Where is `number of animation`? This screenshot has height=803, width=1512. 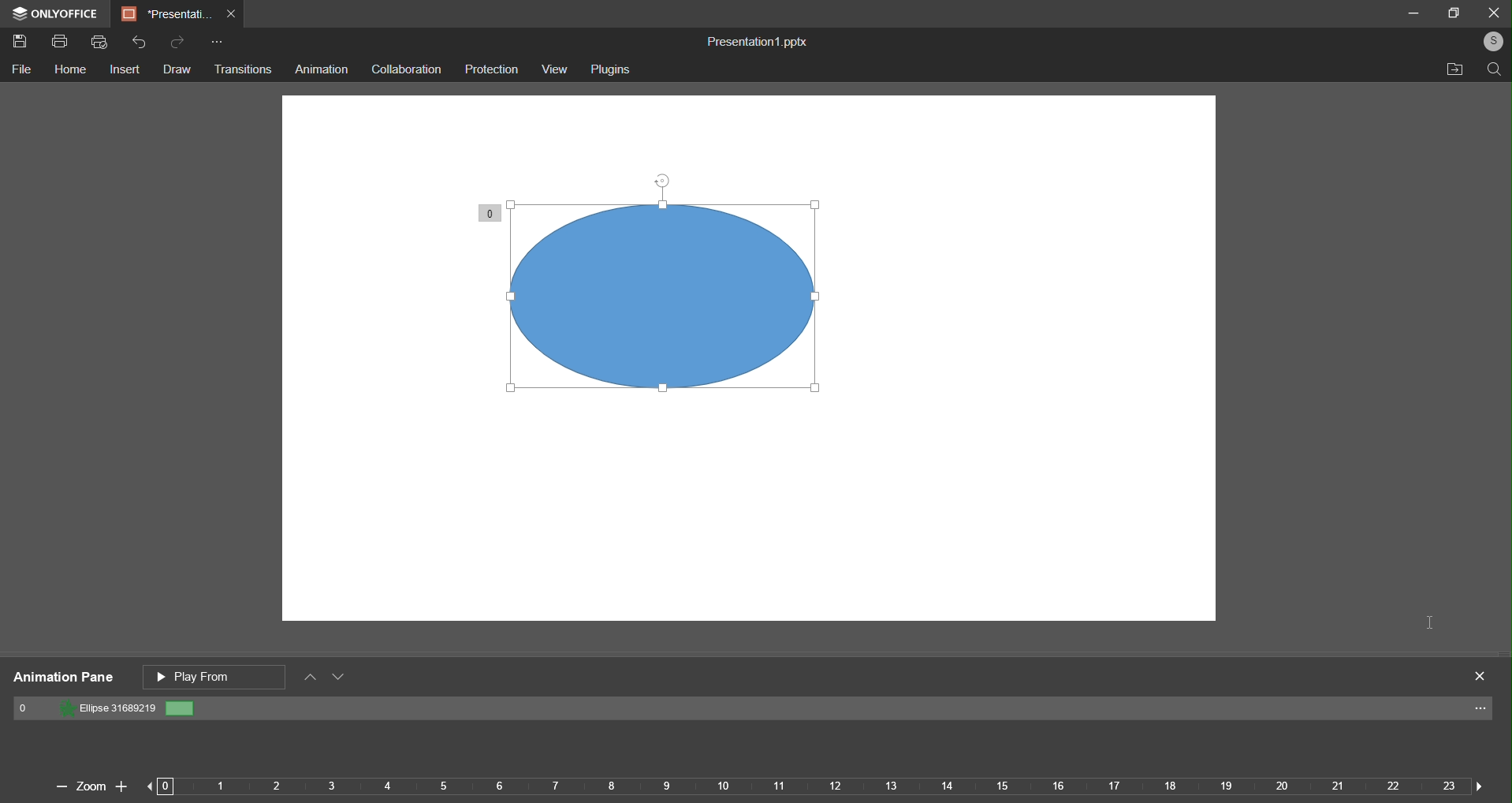 number of animation is located at coordinates (490, 211).